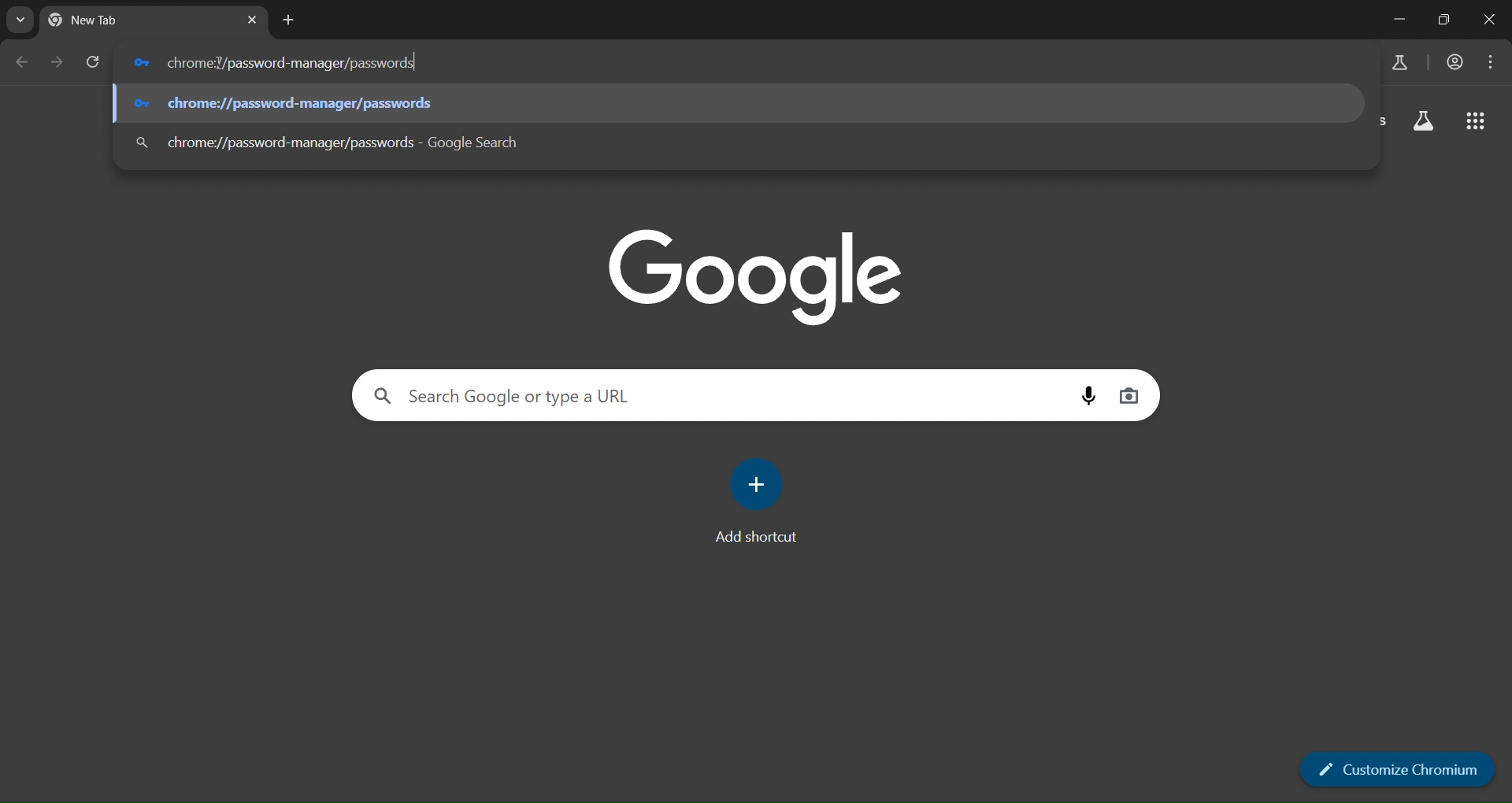  Describe the element at coordinates (291, 20) in the screenshot. I see `new tab` at that location.